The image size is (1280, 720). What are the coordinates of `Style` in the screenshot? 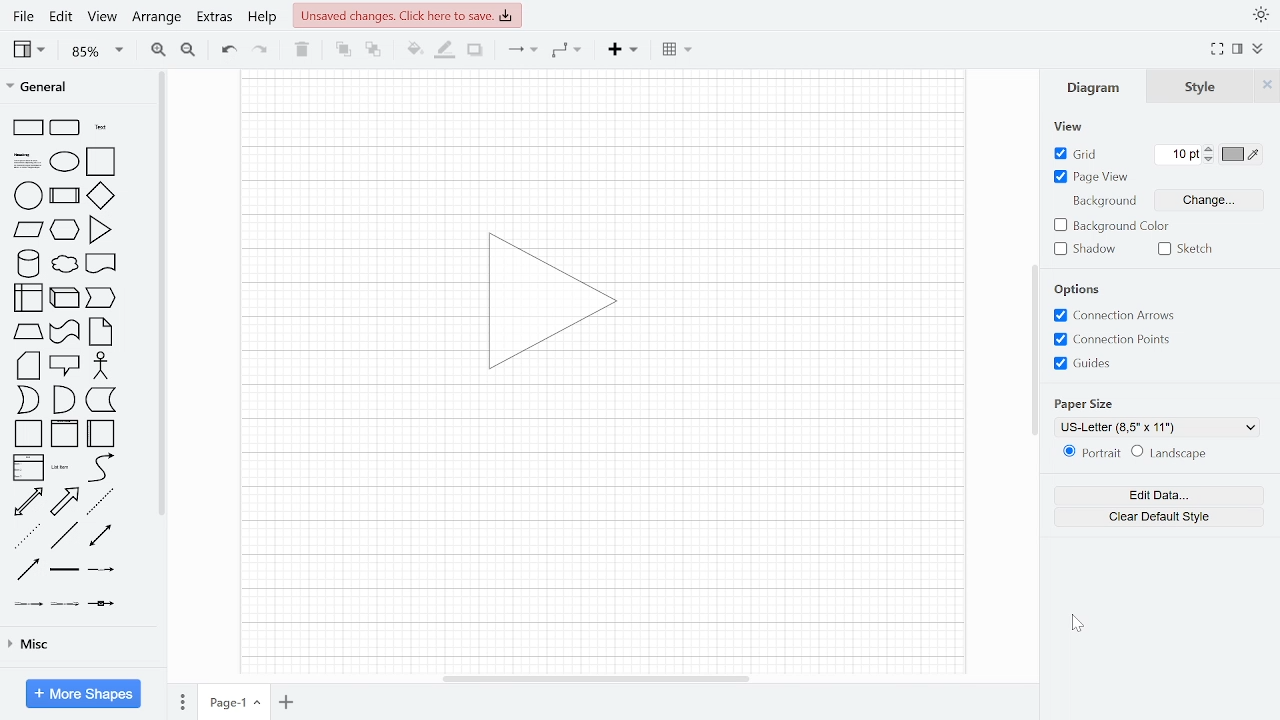 It's located at (1200, 86).